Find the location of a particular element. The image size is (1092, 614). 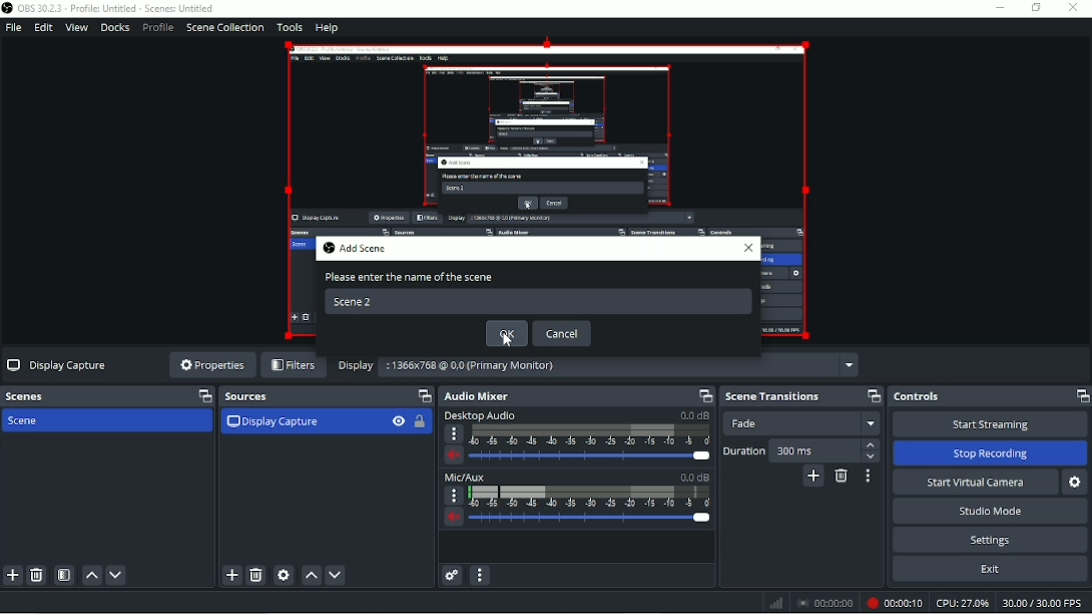

00:00:00 is located at coordinates (825, 604).